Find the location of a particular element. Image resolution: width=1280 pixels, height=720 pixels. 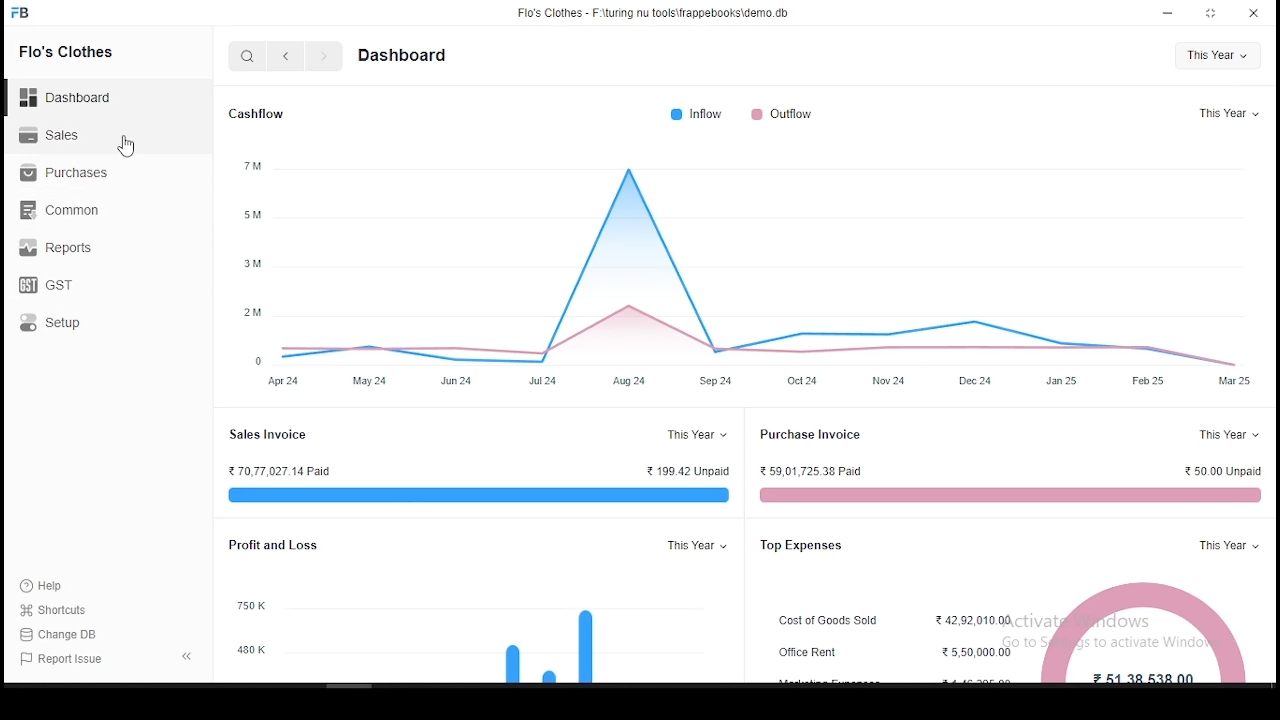

MAR 25 is located at coordinates (1233, 382).